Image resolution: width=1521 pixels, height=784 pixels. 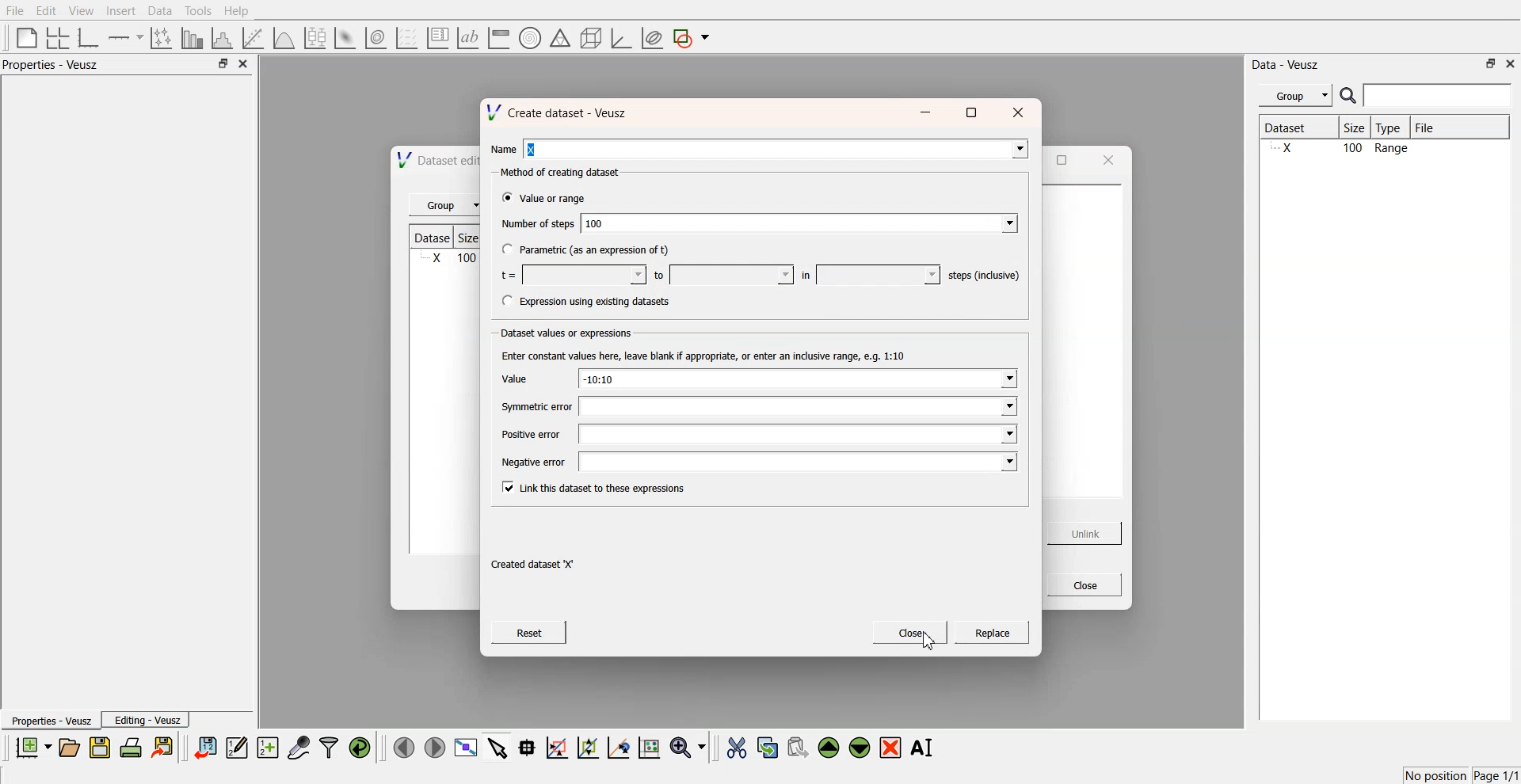 What do you see at coordinates (69, 748) in the screenshot?
I see `open` at bounding box center [69, 748].